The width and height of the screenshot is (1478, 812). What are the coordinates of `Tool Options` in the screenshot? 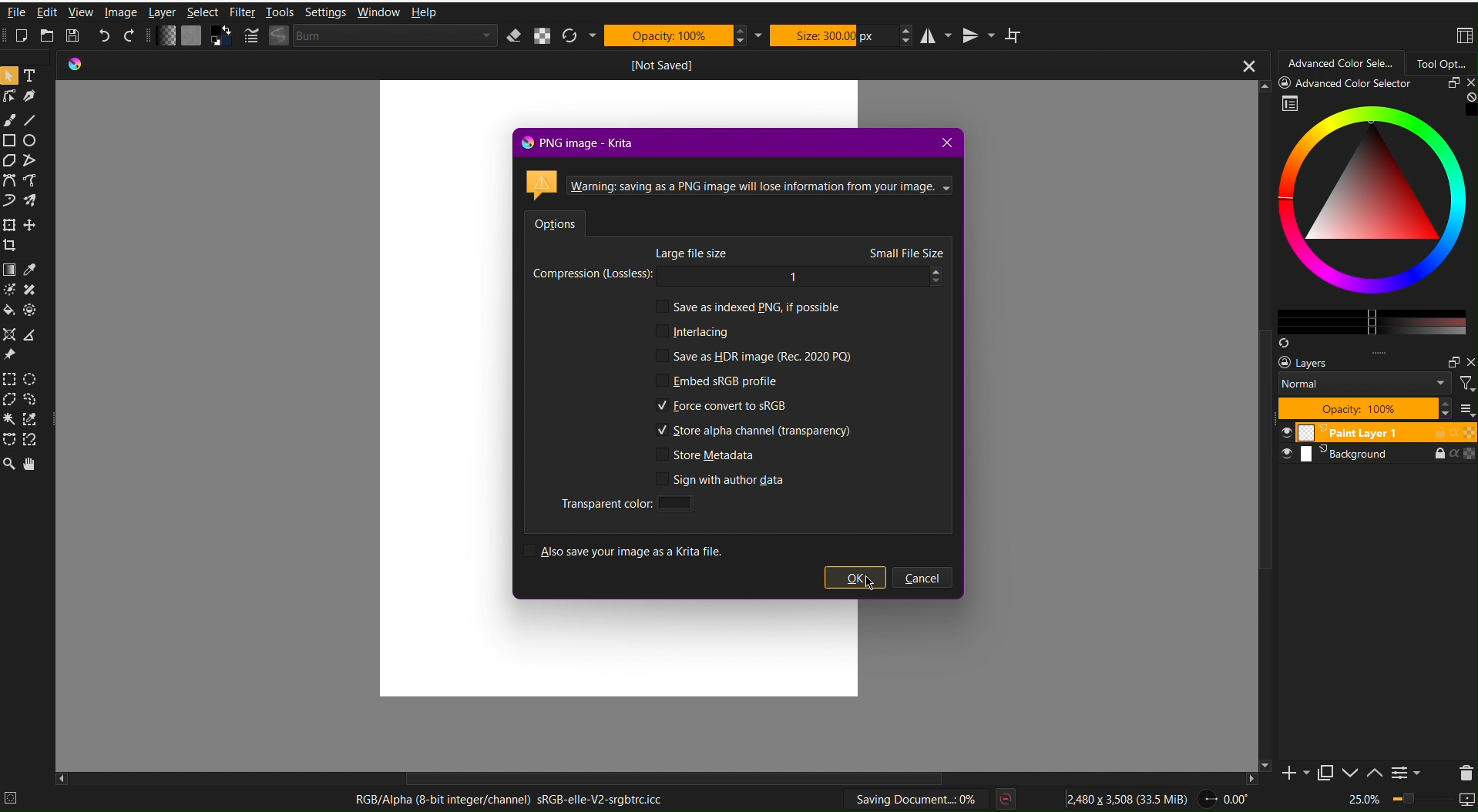 It's located at (1442, 63).